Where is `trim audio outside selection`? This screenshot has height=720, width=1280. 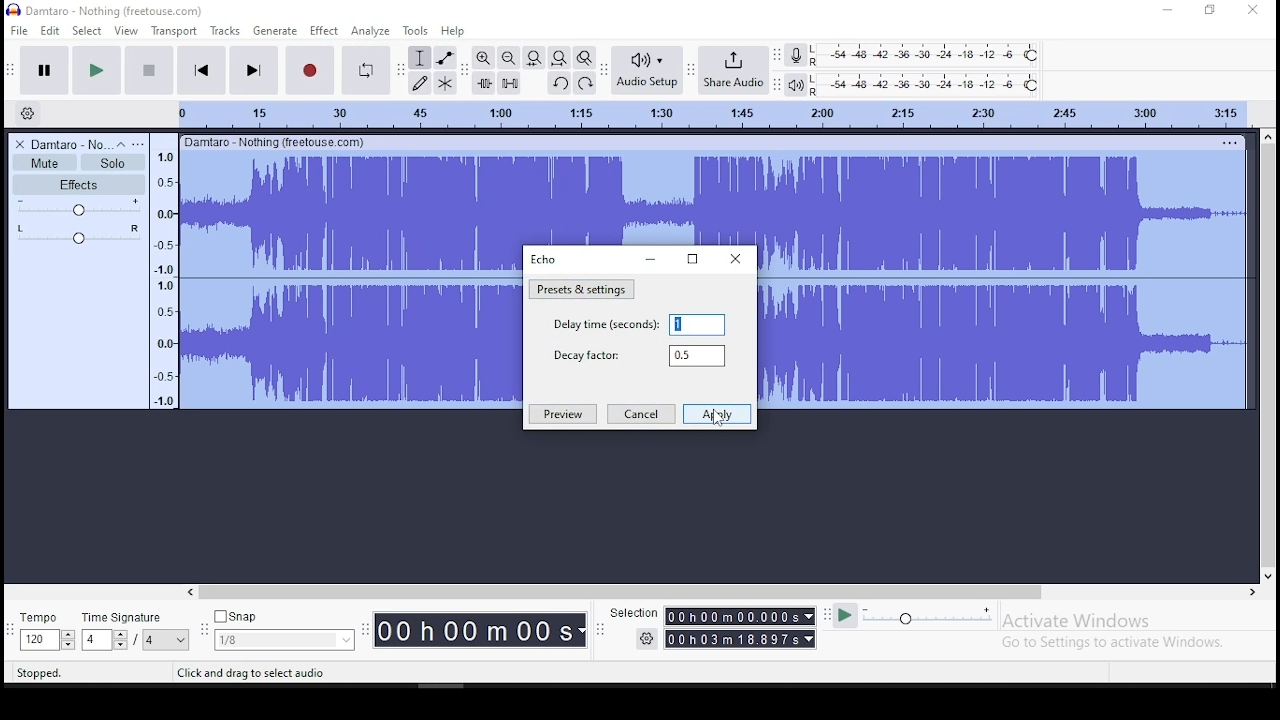
trim audio outside selection is located at coordinates (484, 83).